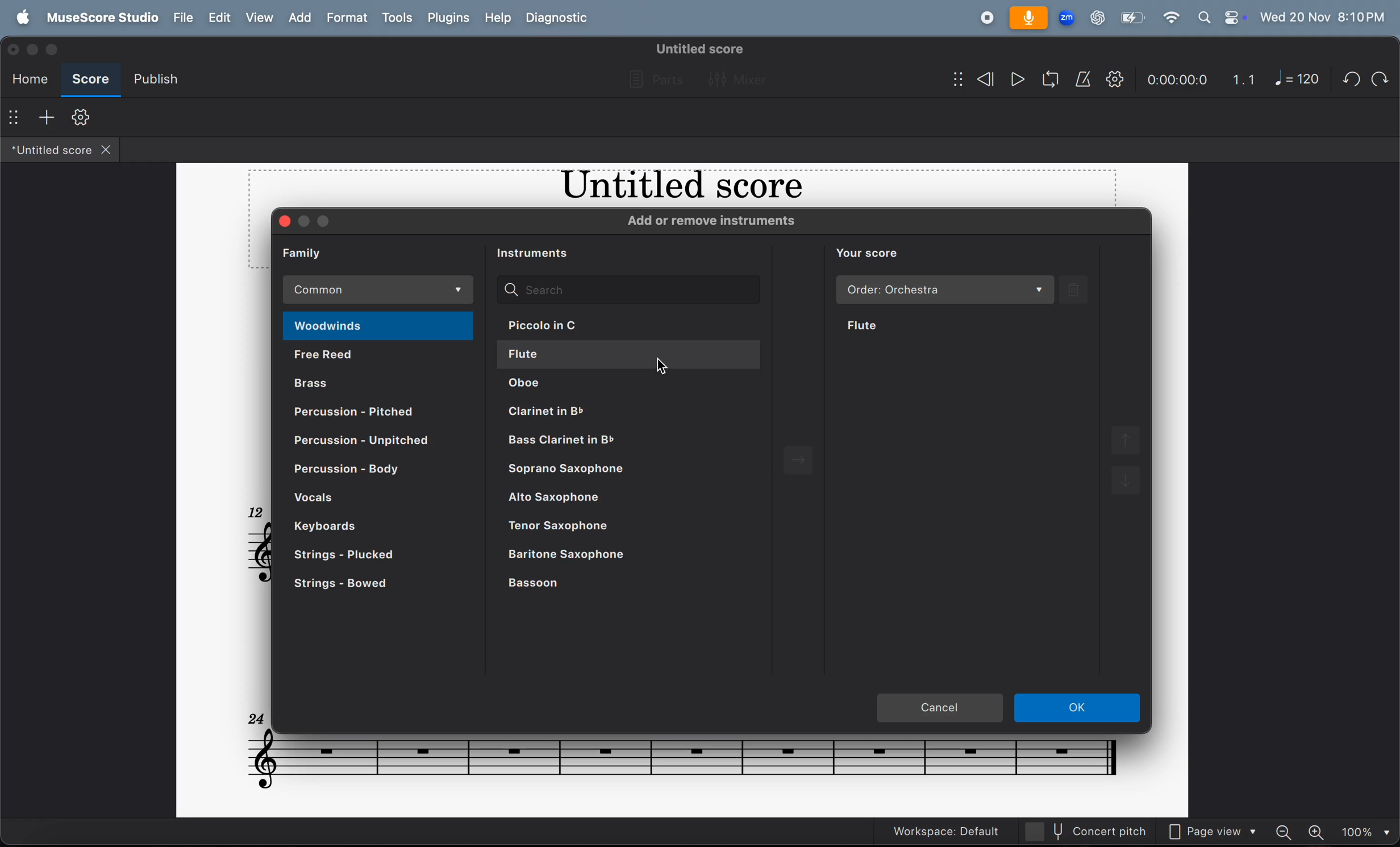  I want to click on cursor, so click(666, 366).